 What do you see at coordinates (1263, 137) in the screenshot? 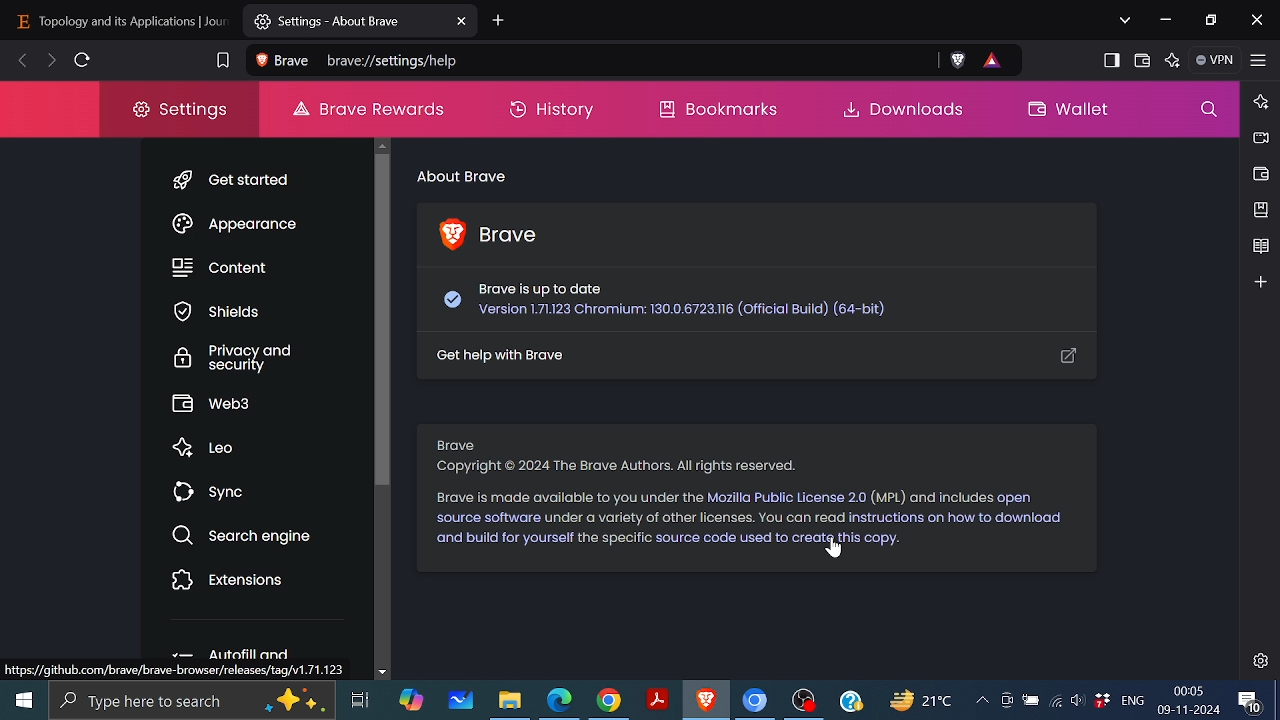
I see `Brave talk` at bounding box center [1263, 137].